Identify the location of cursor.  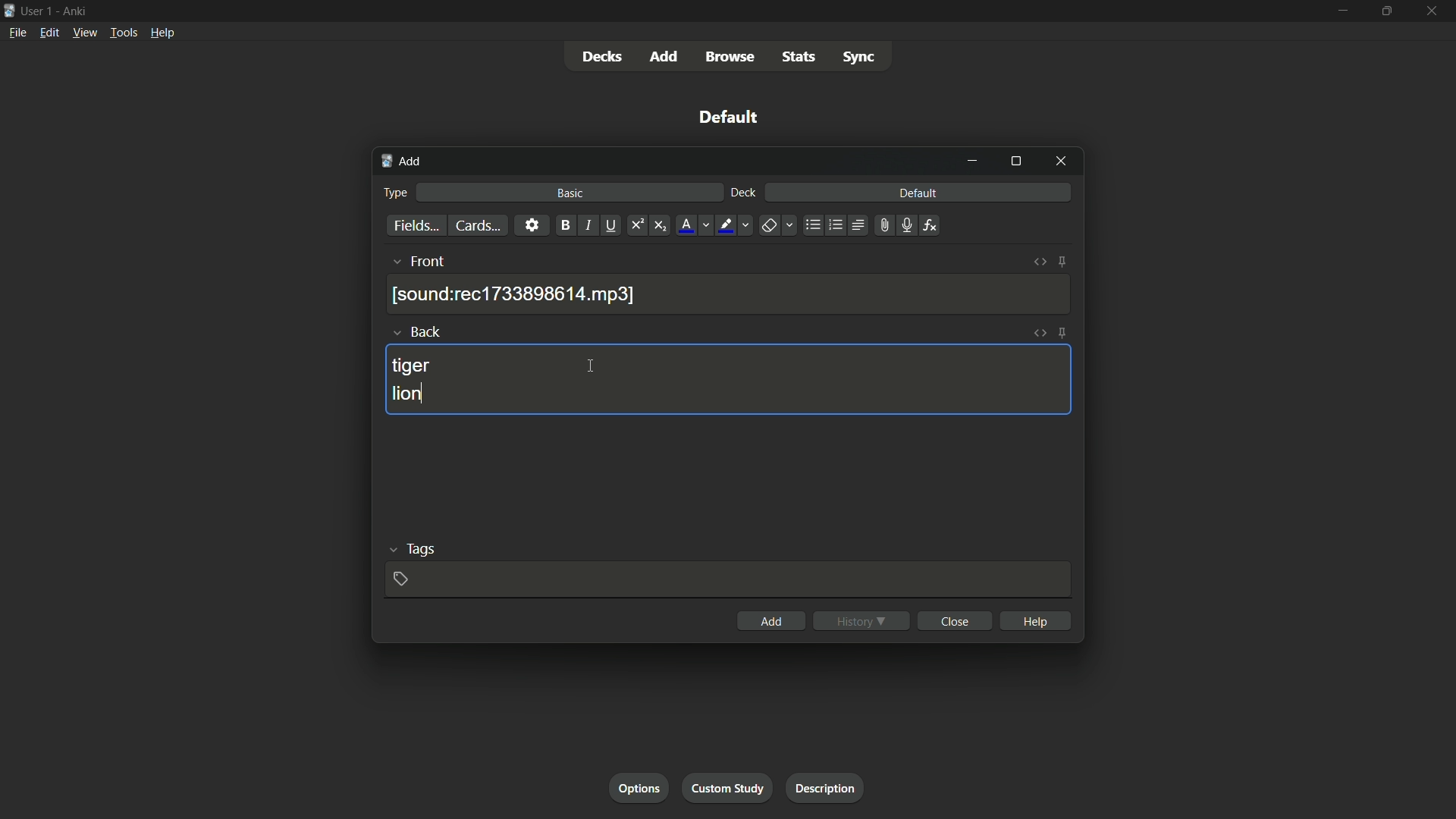
(591, 367).